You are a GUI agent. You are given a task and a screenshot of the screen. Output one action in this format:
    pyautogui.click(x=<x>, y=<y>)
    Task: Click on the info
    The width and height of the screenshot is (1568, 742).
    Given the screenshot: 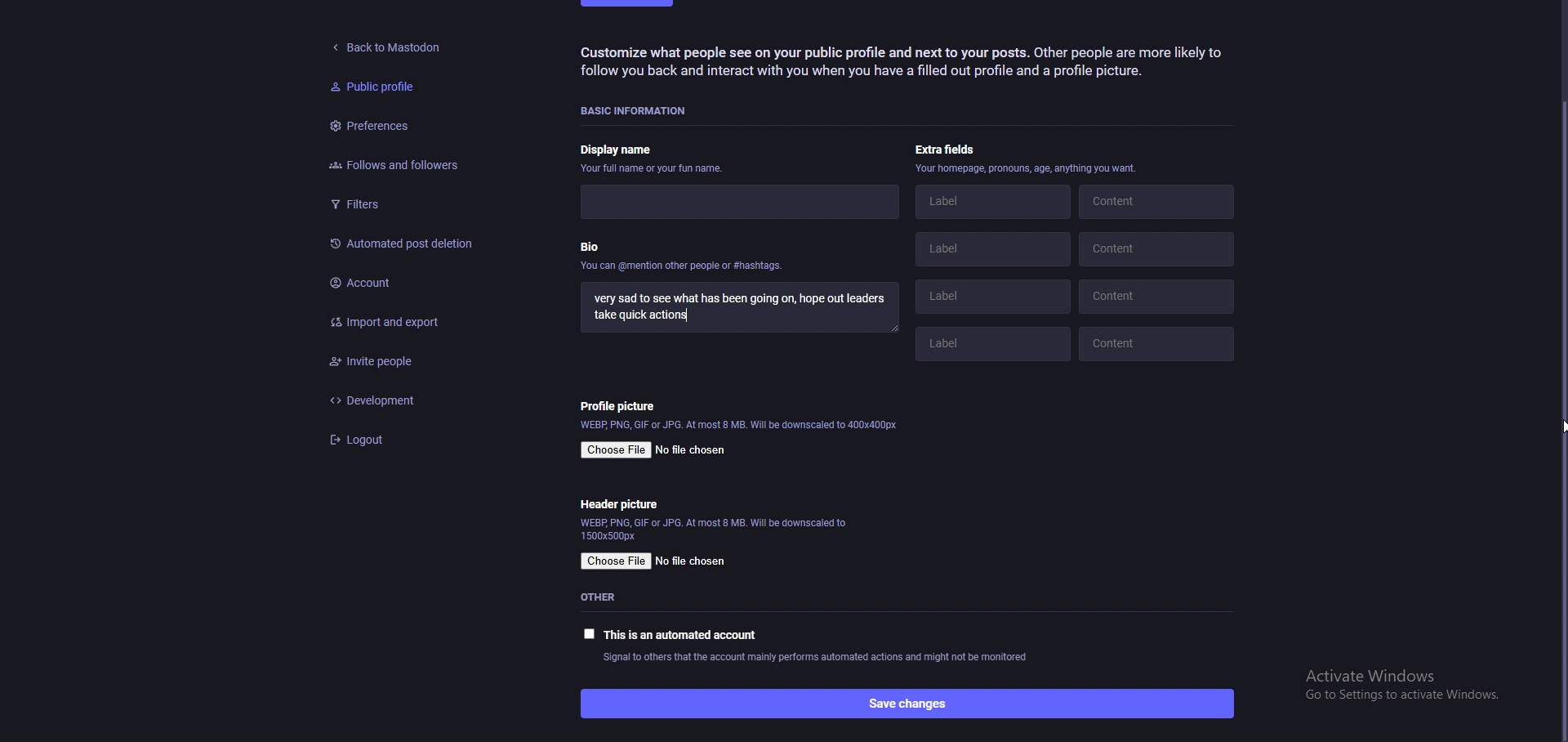 What is the action you would take?
    pyautogui.click(x=741, y=427)
    